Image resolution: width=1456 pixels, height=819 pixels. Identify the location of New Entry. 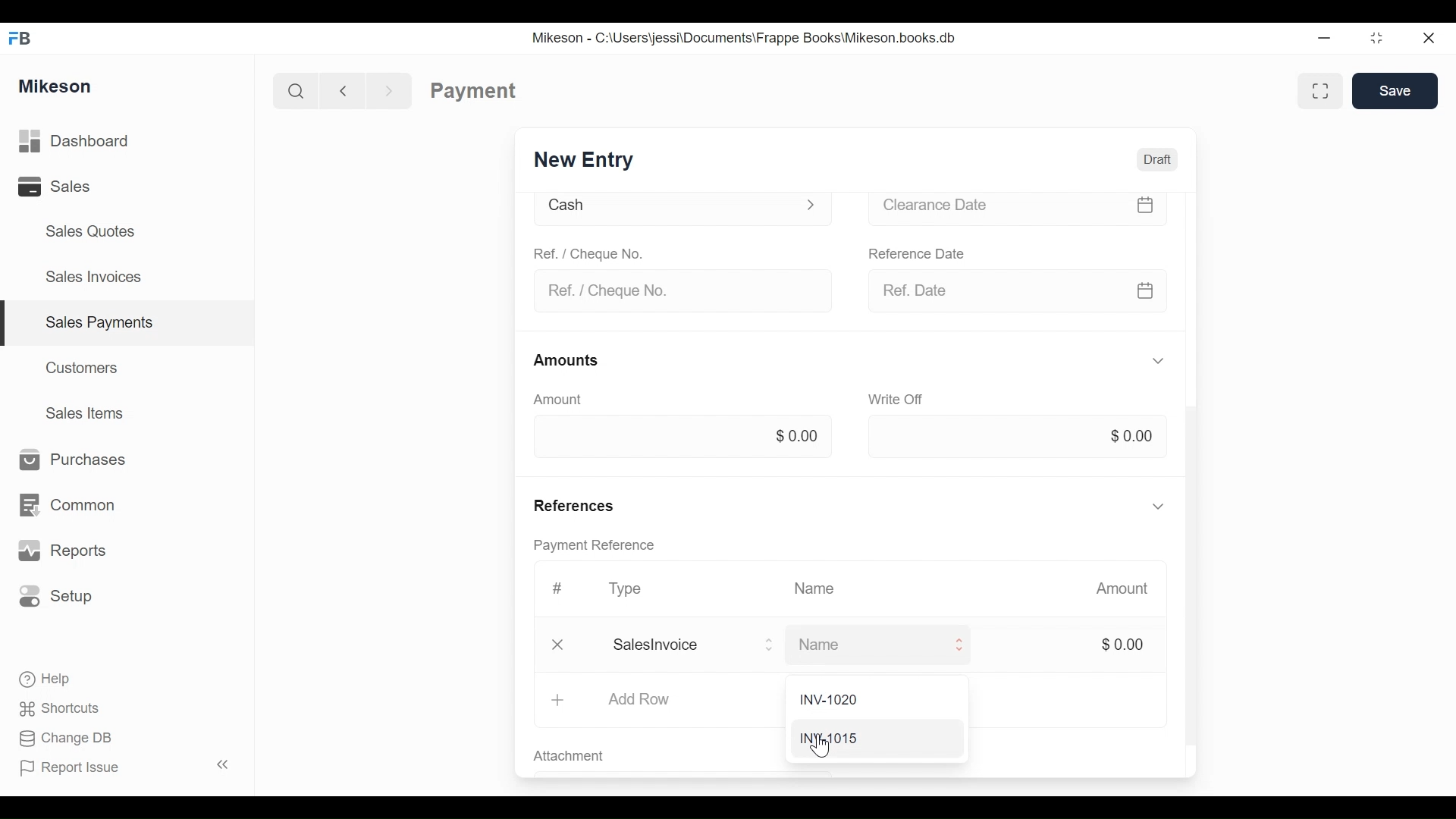
(583, 158).